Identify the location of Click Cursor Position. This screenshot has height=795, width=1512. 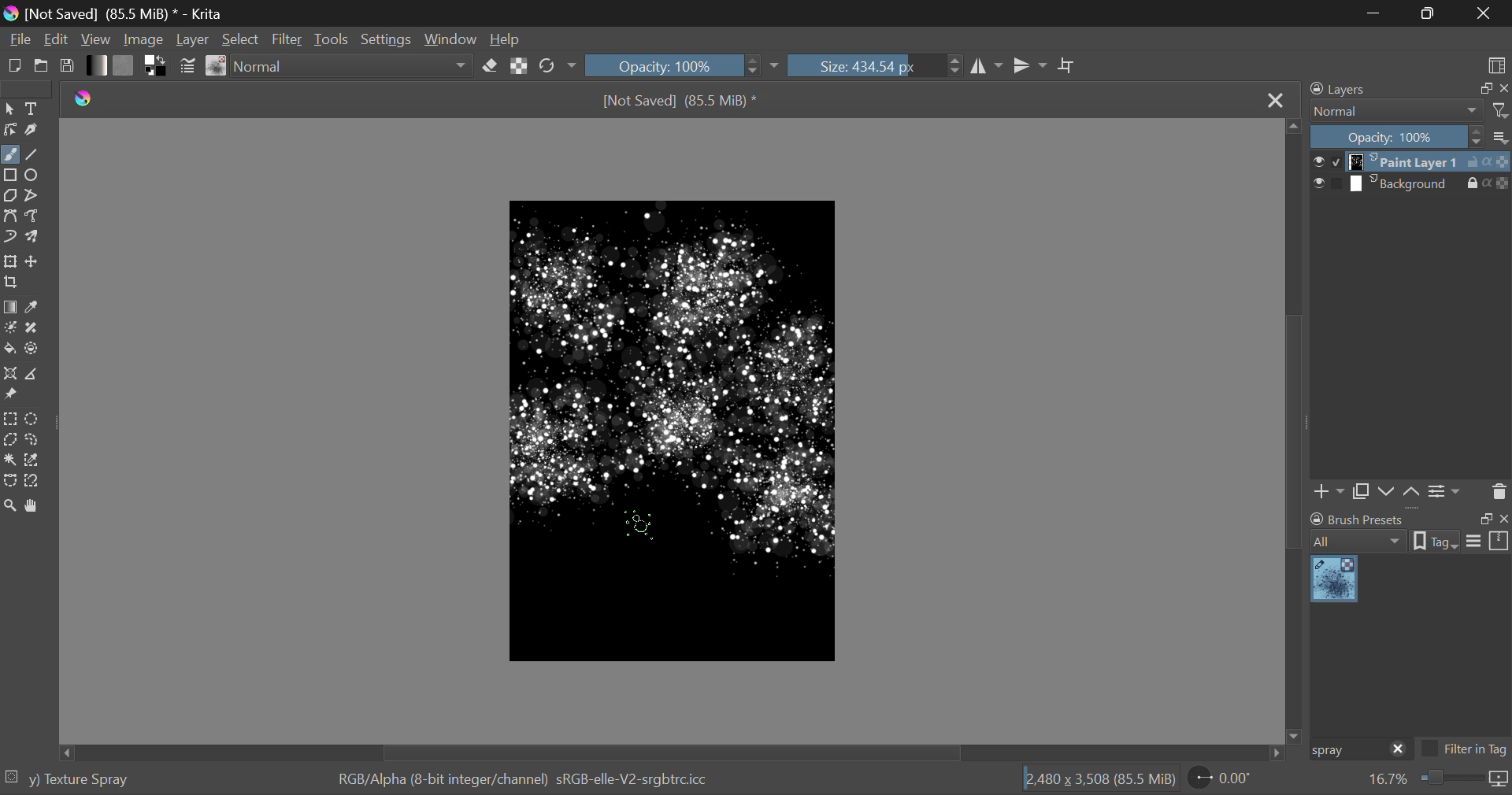
(638, 529).